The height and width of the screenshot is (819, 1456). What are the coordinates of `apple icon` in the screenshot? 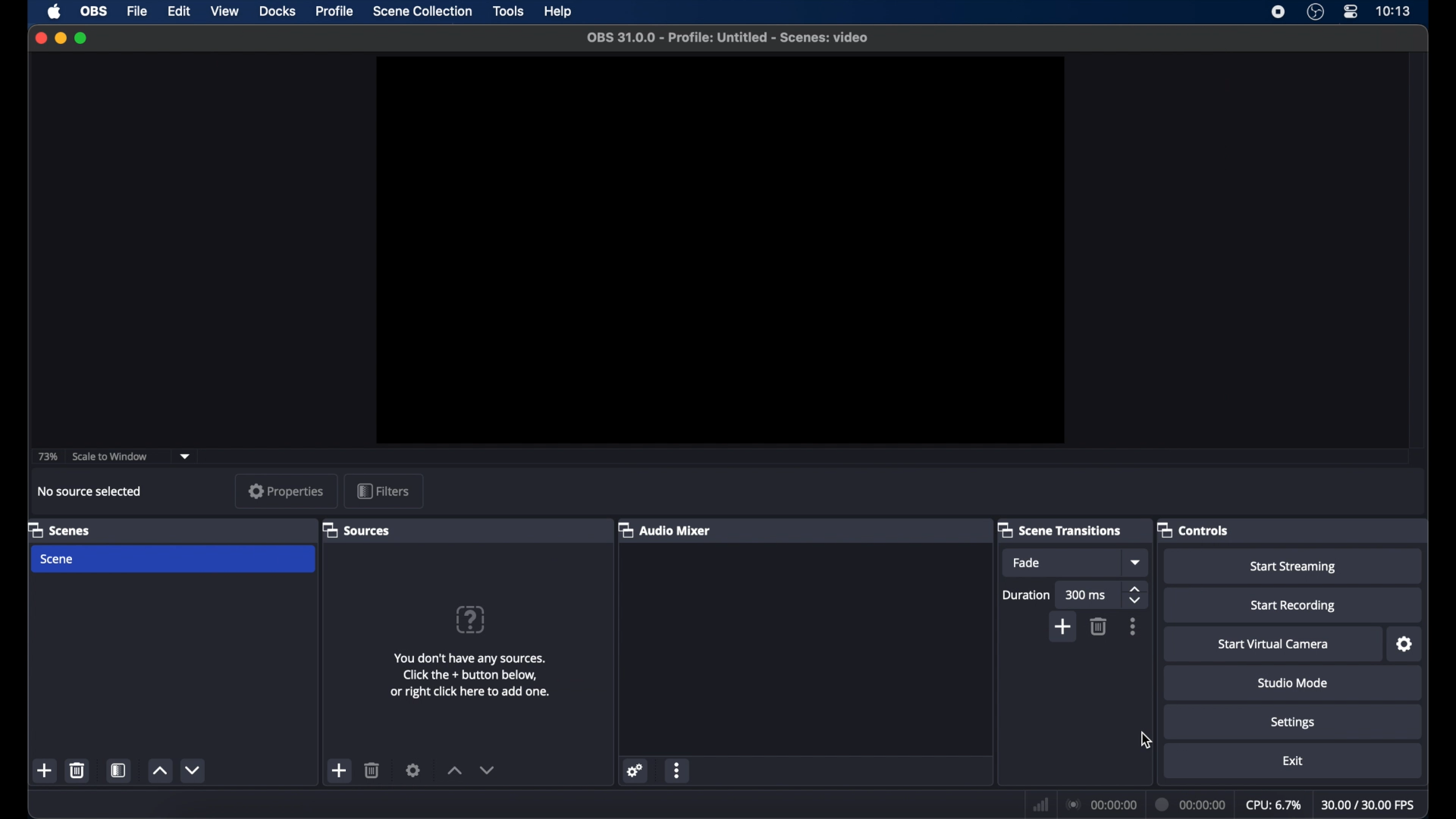 It's located at (55, 12).